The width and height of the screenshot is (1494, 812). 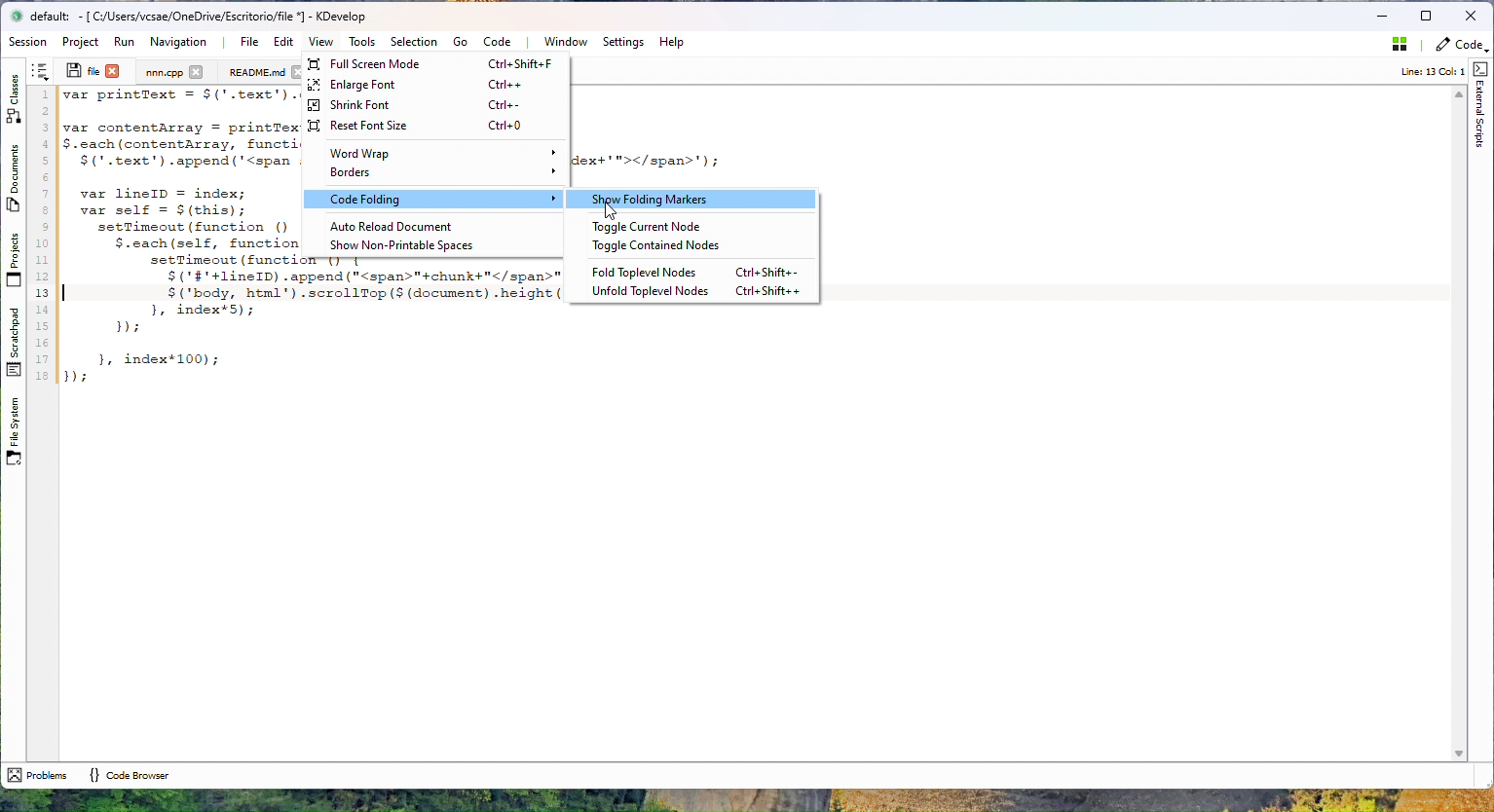 I want to click on Project, so click(x=84, y=42).